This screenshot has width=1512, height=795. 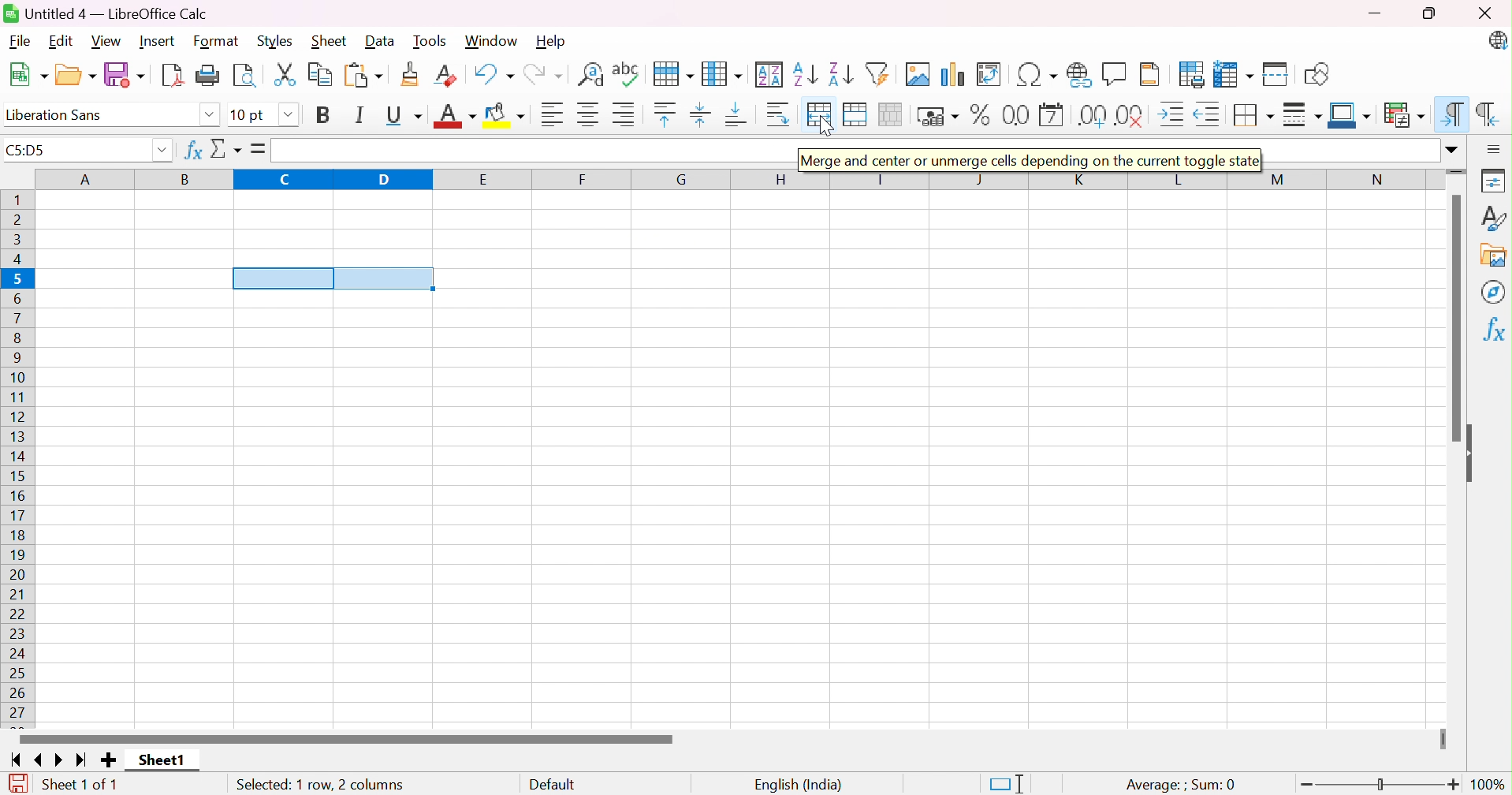 I want to click on Align Right, so click(x=627, y=115).